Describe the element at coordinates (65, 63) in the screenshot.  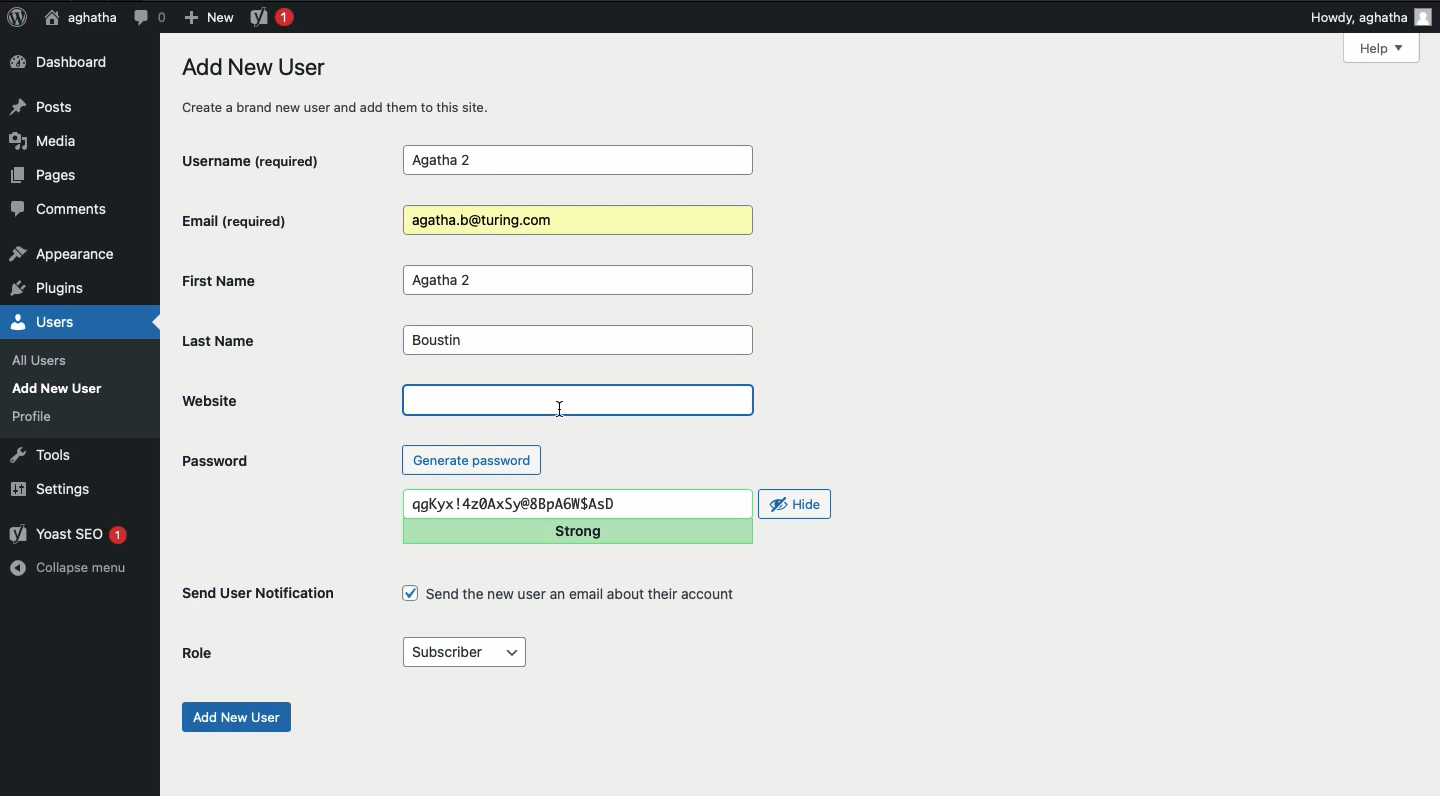
I see `Dashboard` at that location.